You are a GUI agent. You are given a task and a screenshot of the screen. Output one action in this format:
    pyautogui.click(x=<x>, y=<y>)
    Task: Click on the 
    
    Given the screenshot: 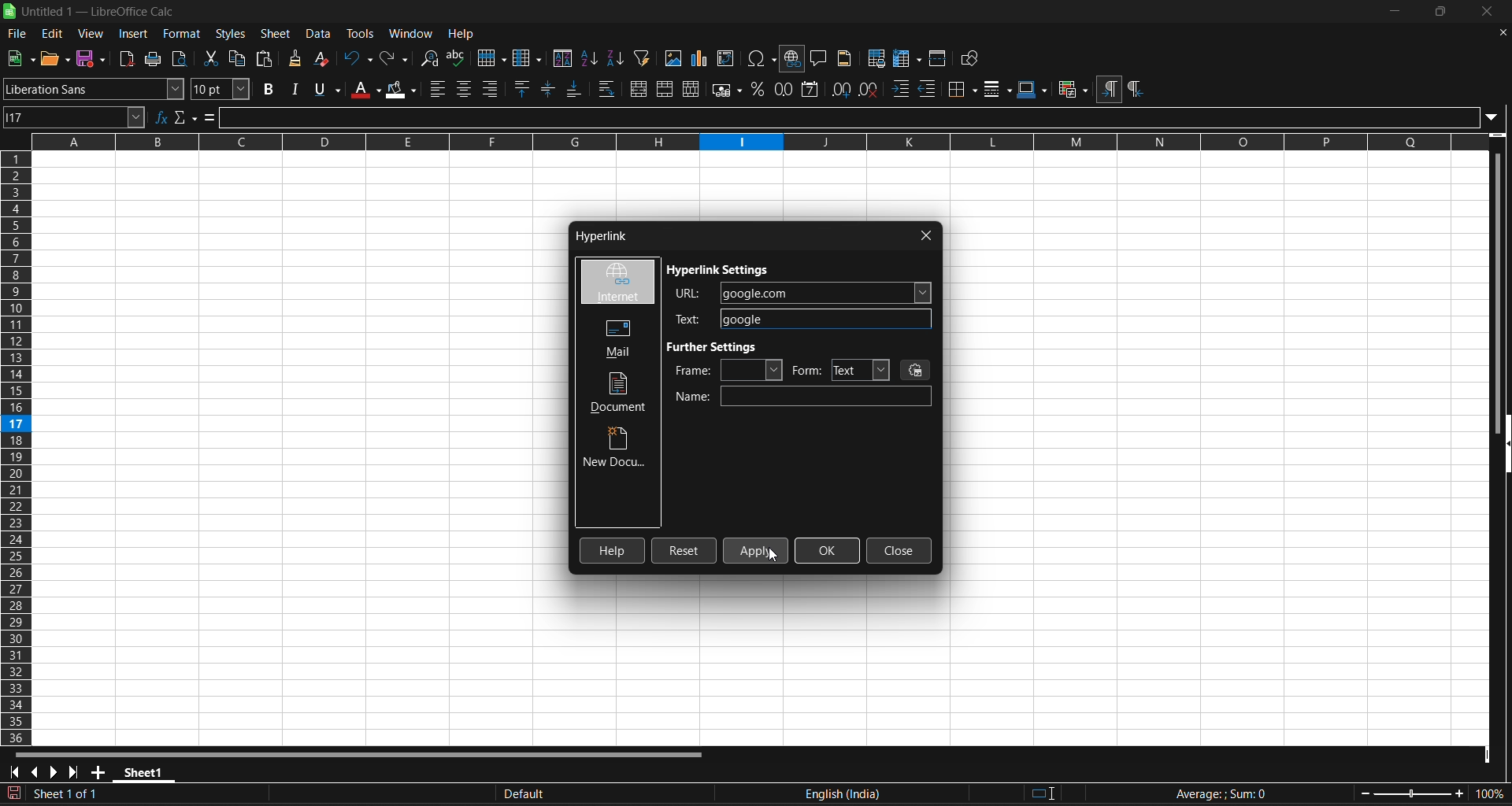 What is the action you would take?
    pyautogui.click(x=2112, y=1565)
    